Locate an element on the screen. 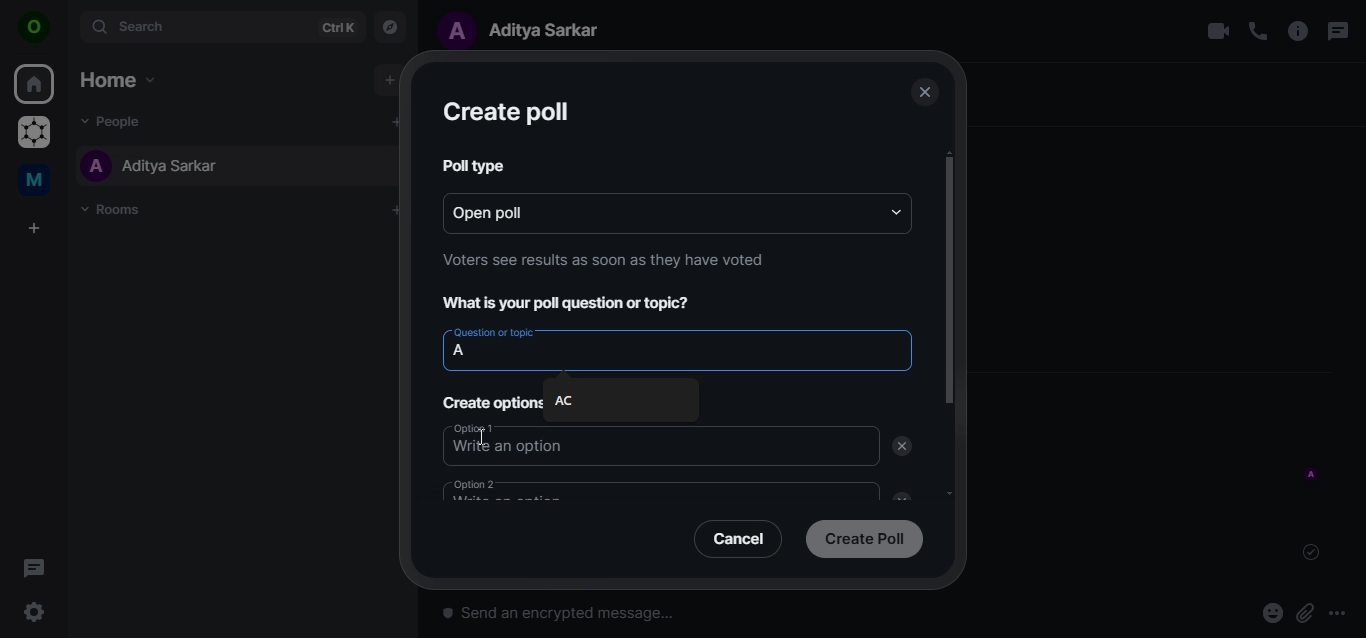  aditya sarkar is located at coordinates (528, 29).